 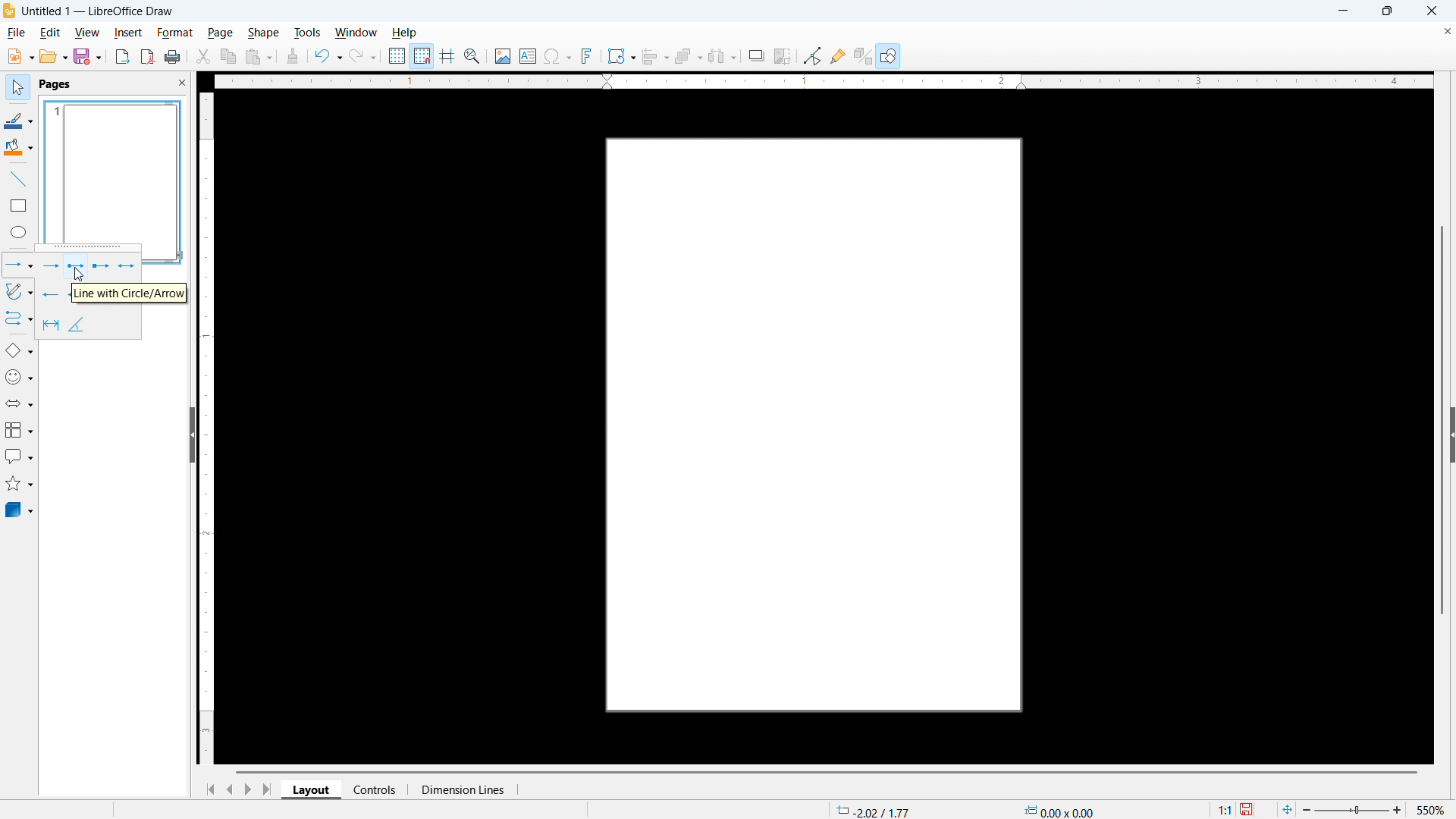 What do you see at coordinates (209, 790) in the screenshot?
I see `Go to first page ` at bounding box center [209, 790].